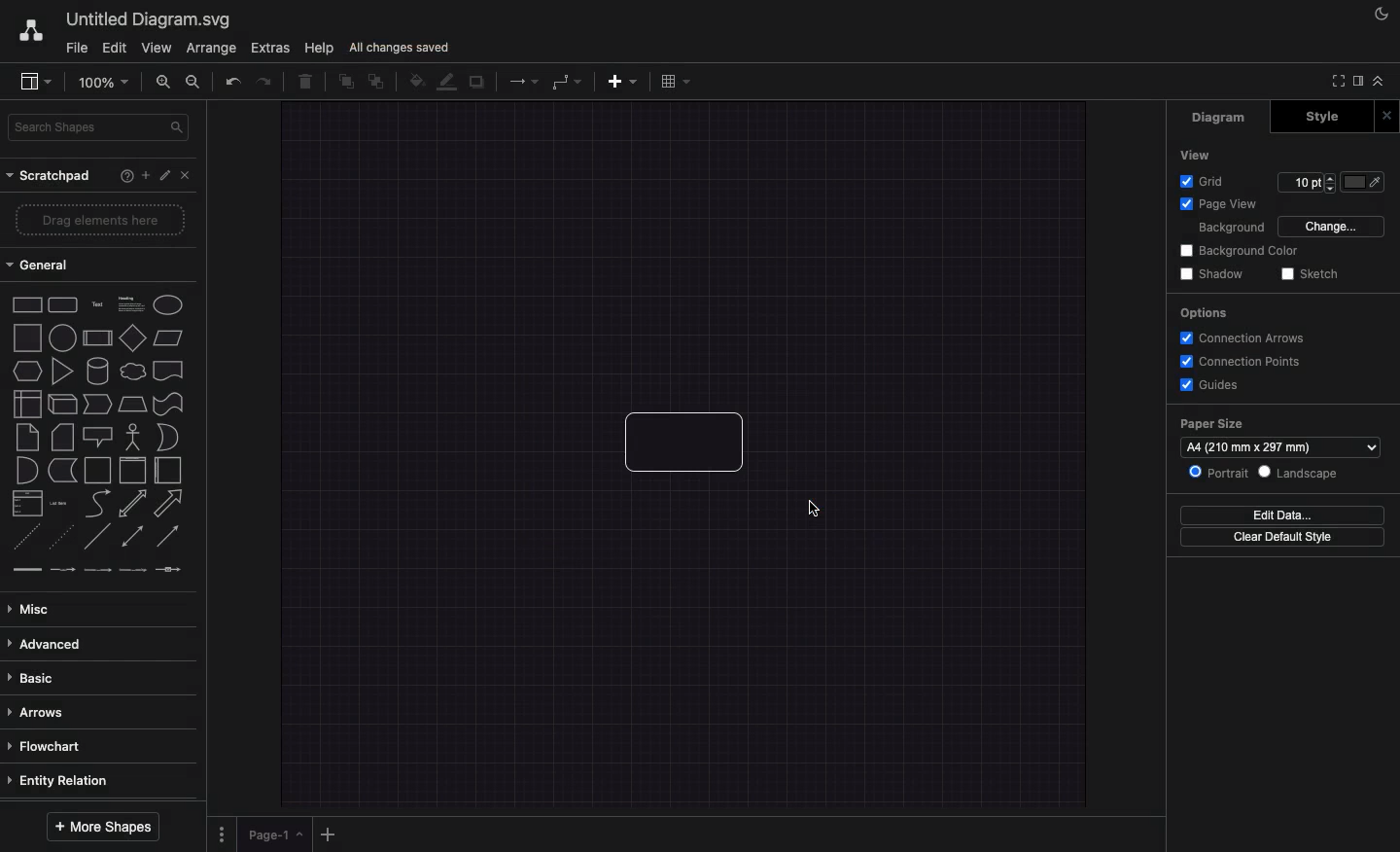 The height and width of the screenshot is (852, 1400). I want to click on Line color, so click(449, 83).